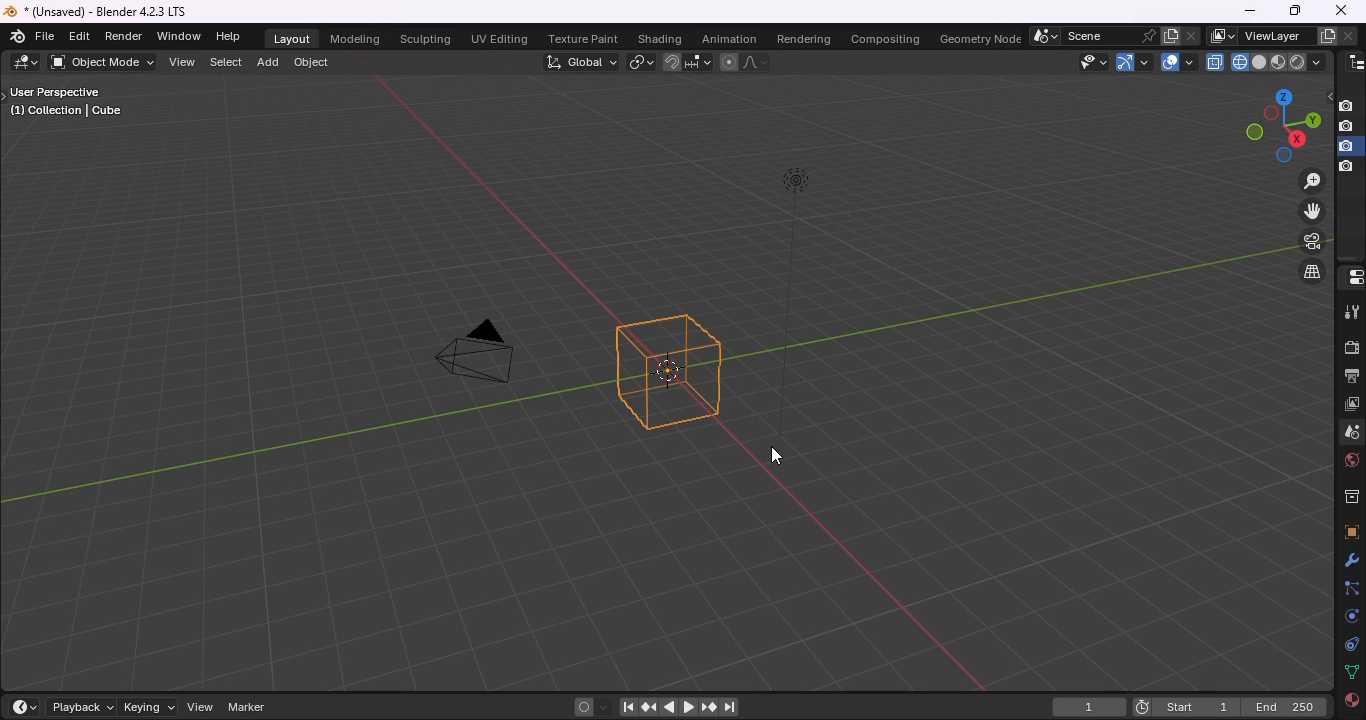 This screenshot has width=1366, height=720. What do you see at coordinates (26, 62) in the screenshot?
I see `editor type: 3D view port` at bounding box center [26, 62].